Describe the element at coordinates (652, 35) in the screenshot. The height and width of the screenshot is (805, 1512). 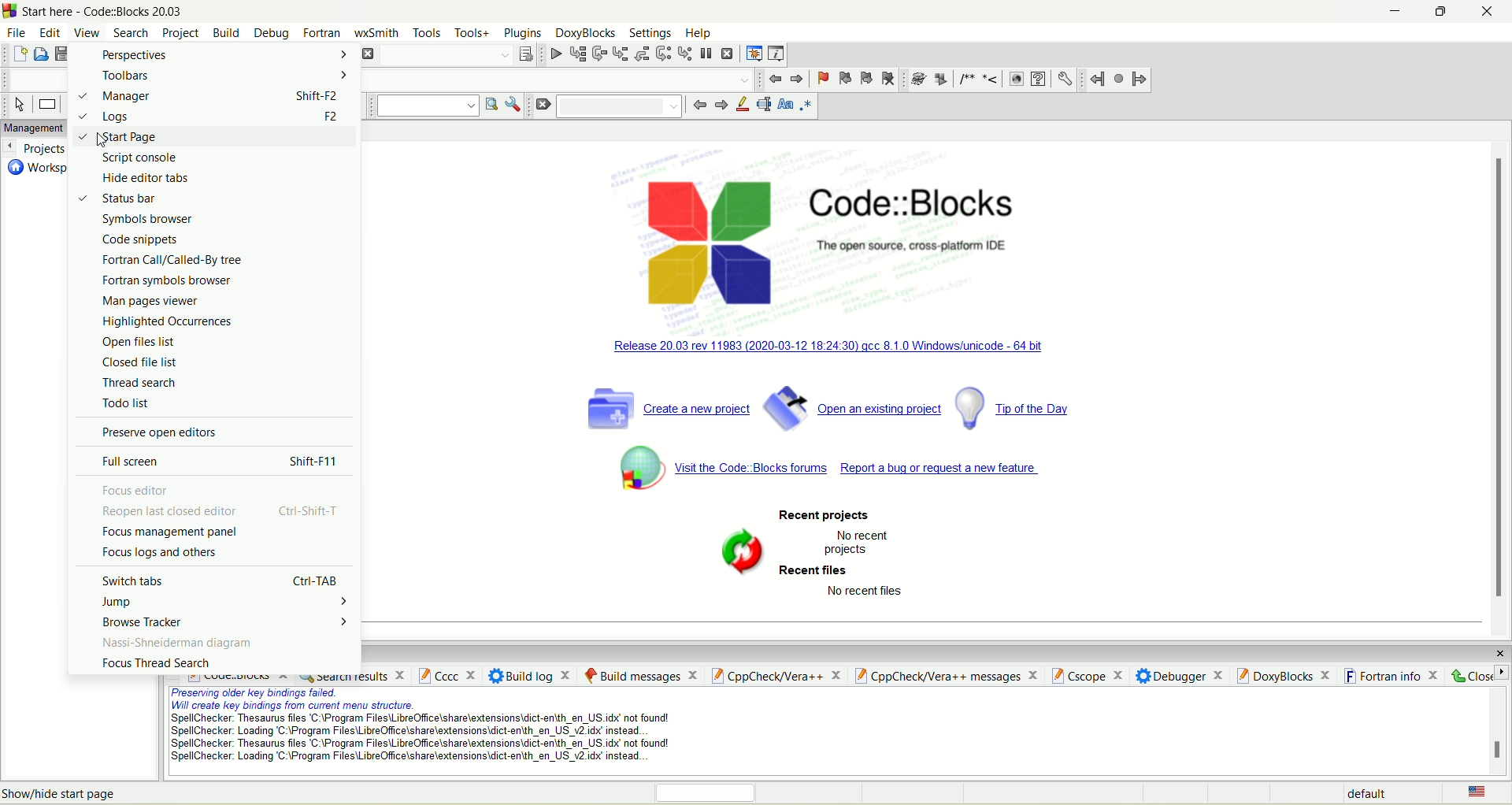
I see `settings` at that location.